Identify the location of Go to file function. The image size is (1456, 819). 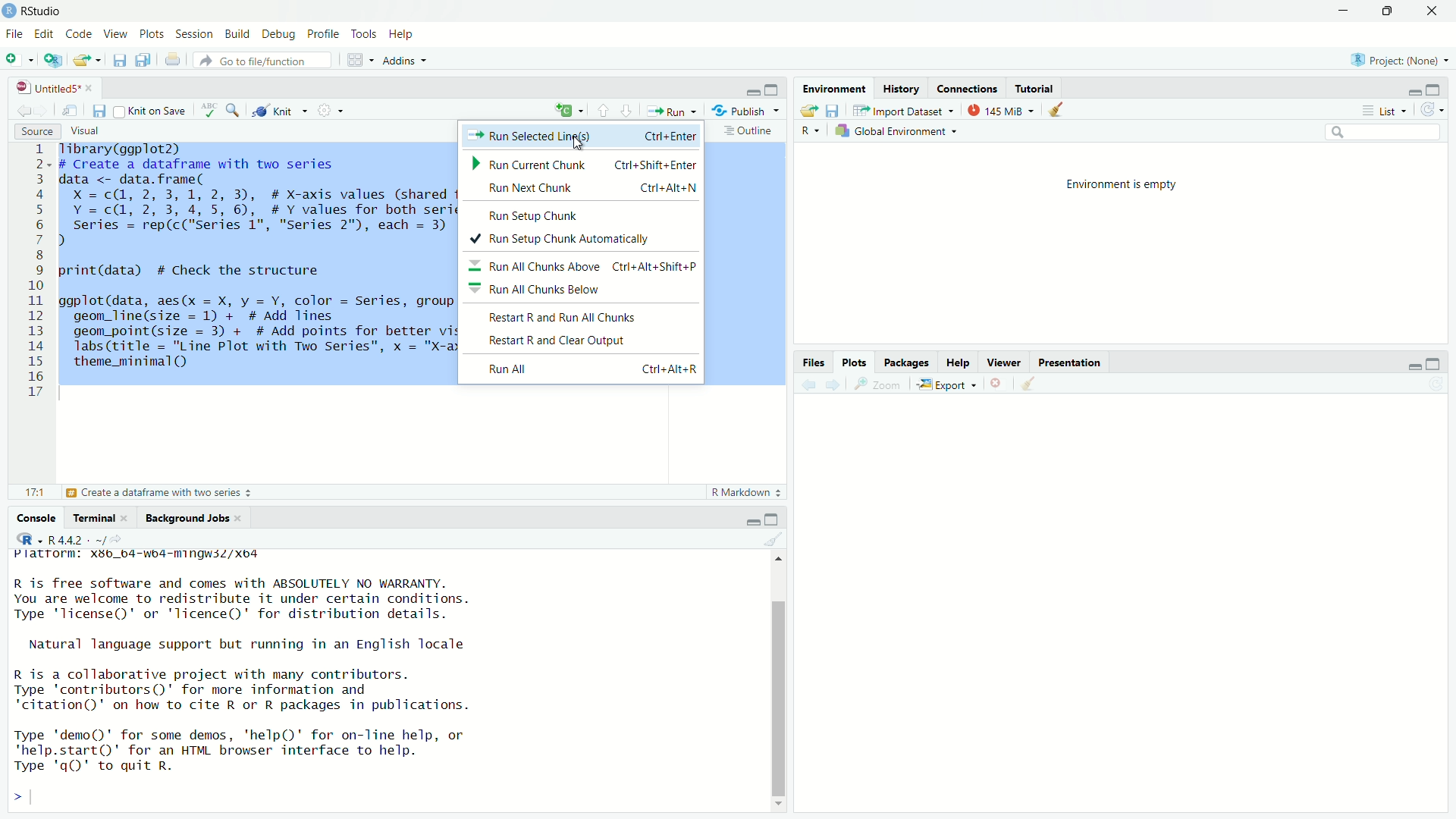
(264, 60).